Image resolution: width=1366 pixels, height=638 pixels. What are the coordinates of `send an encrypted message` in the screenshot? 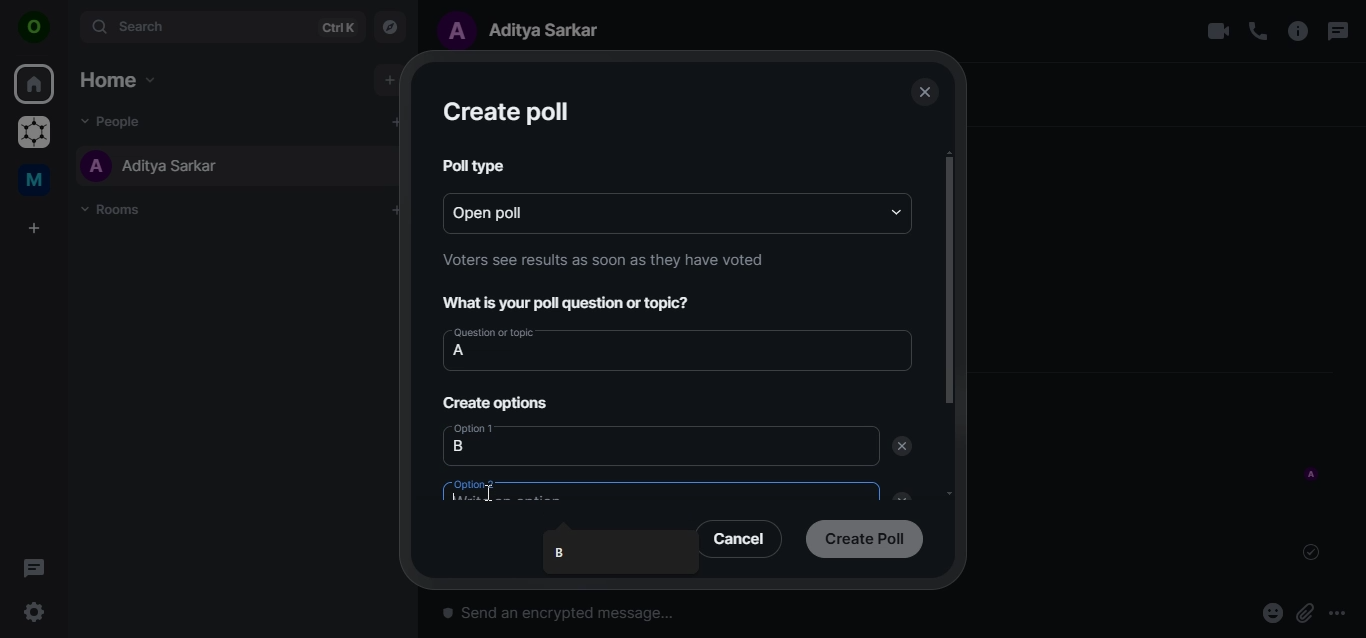 It's located at (669, 619).